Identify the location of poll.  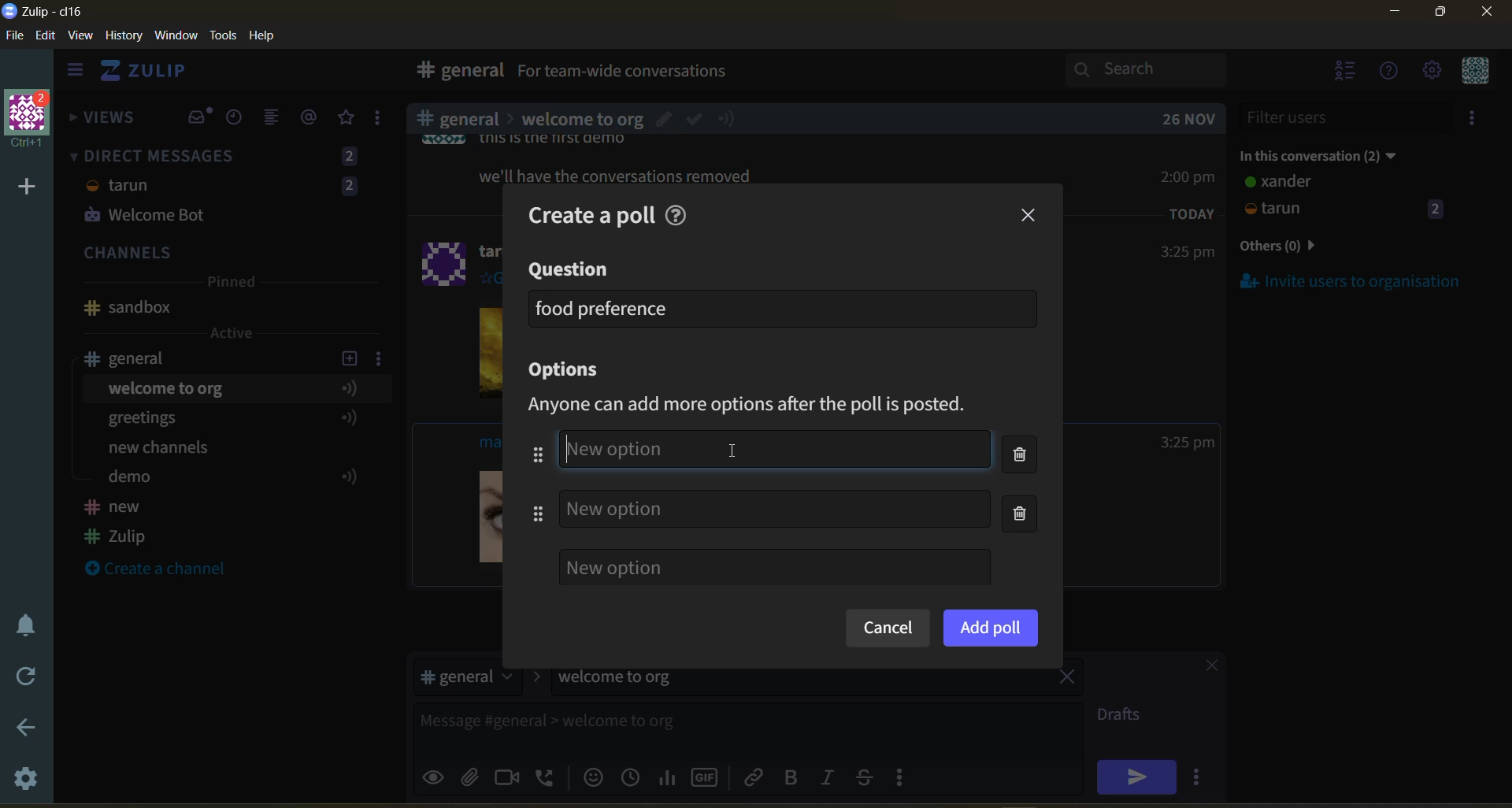
(669, 776).